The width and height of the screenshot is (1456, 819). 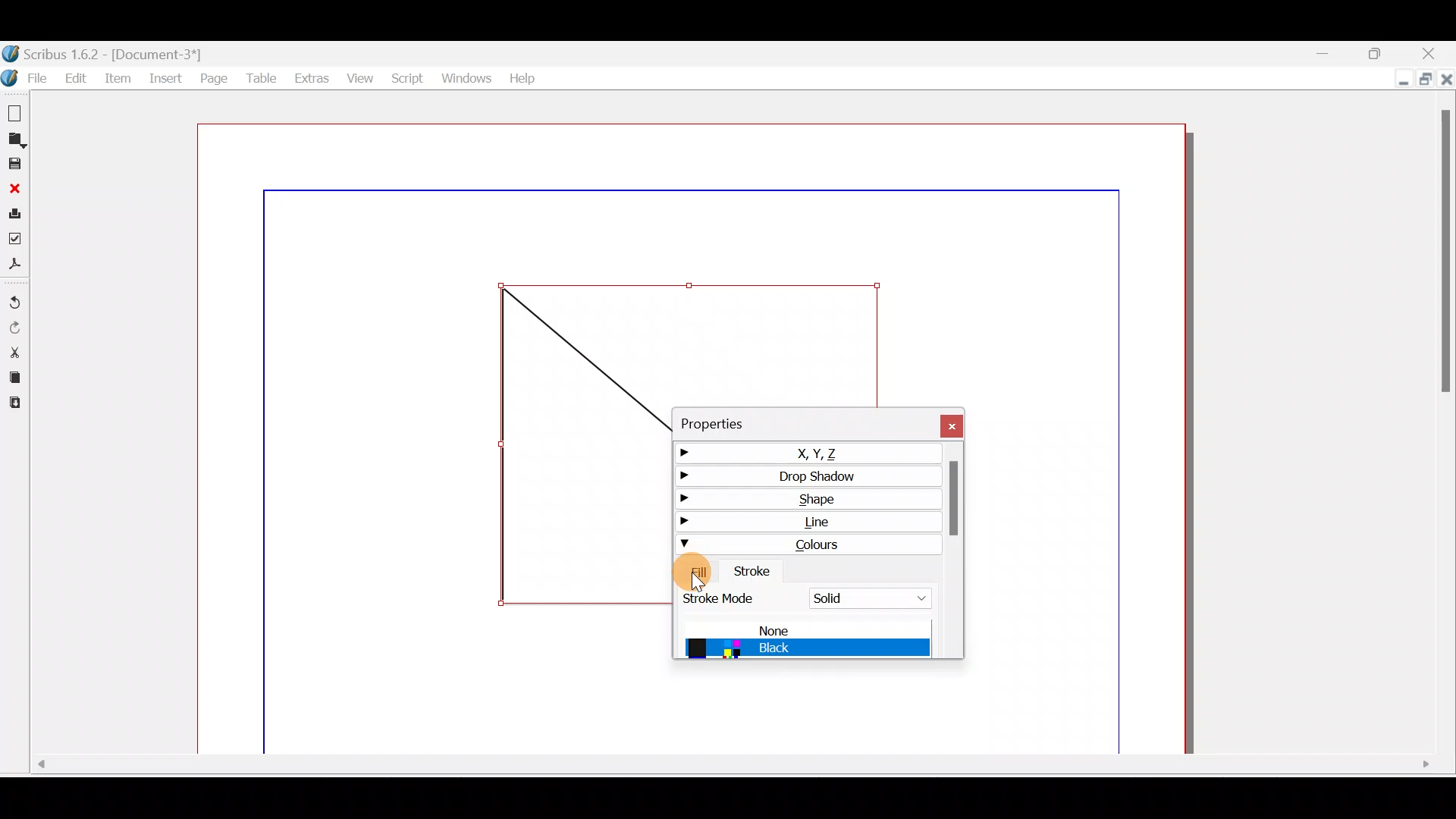 I want to click on Copy, so click(x=14, y=375).